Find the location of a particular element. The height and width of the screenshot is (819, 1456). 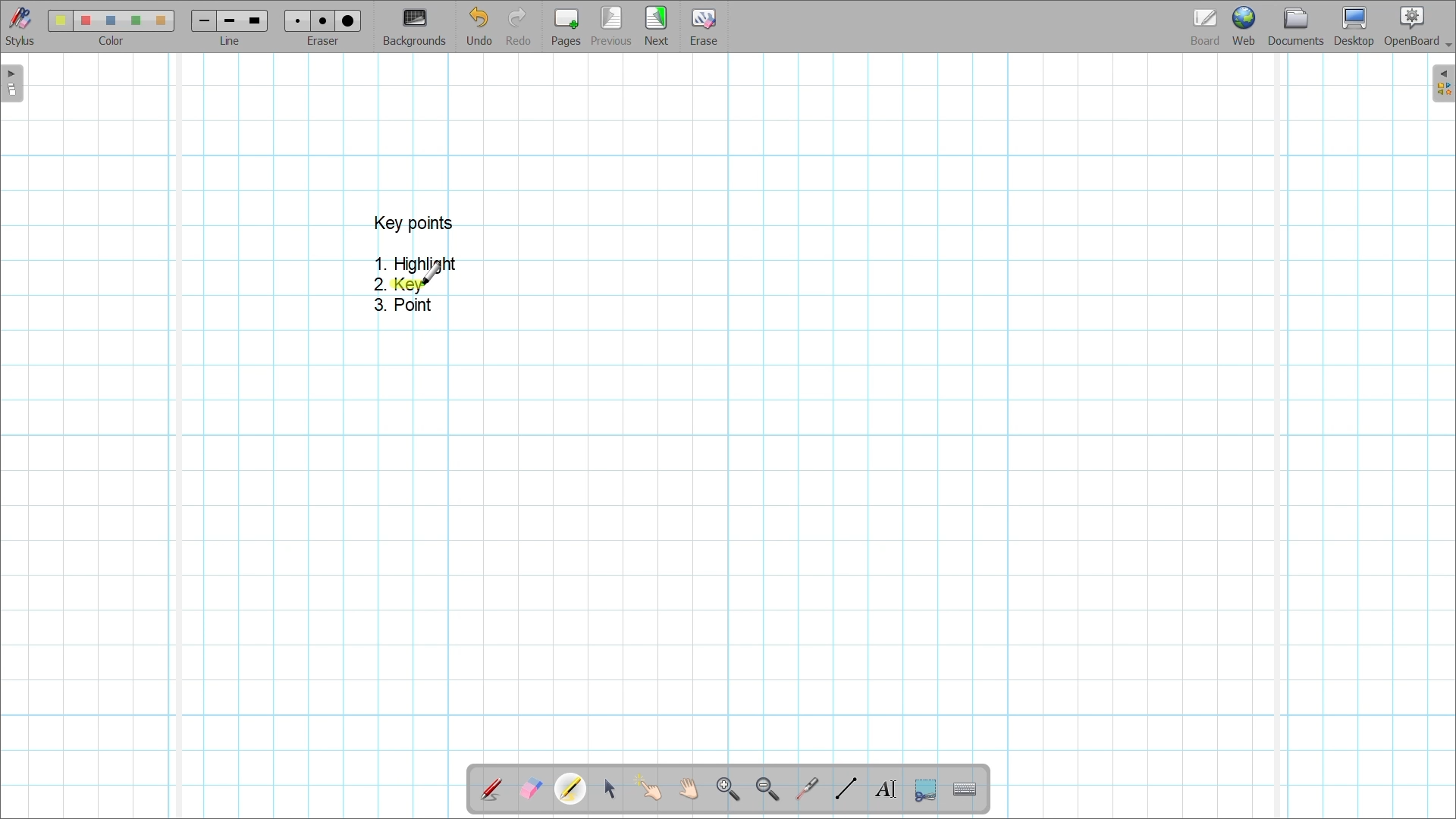

Scroll page is located at coordinates (688, 789).